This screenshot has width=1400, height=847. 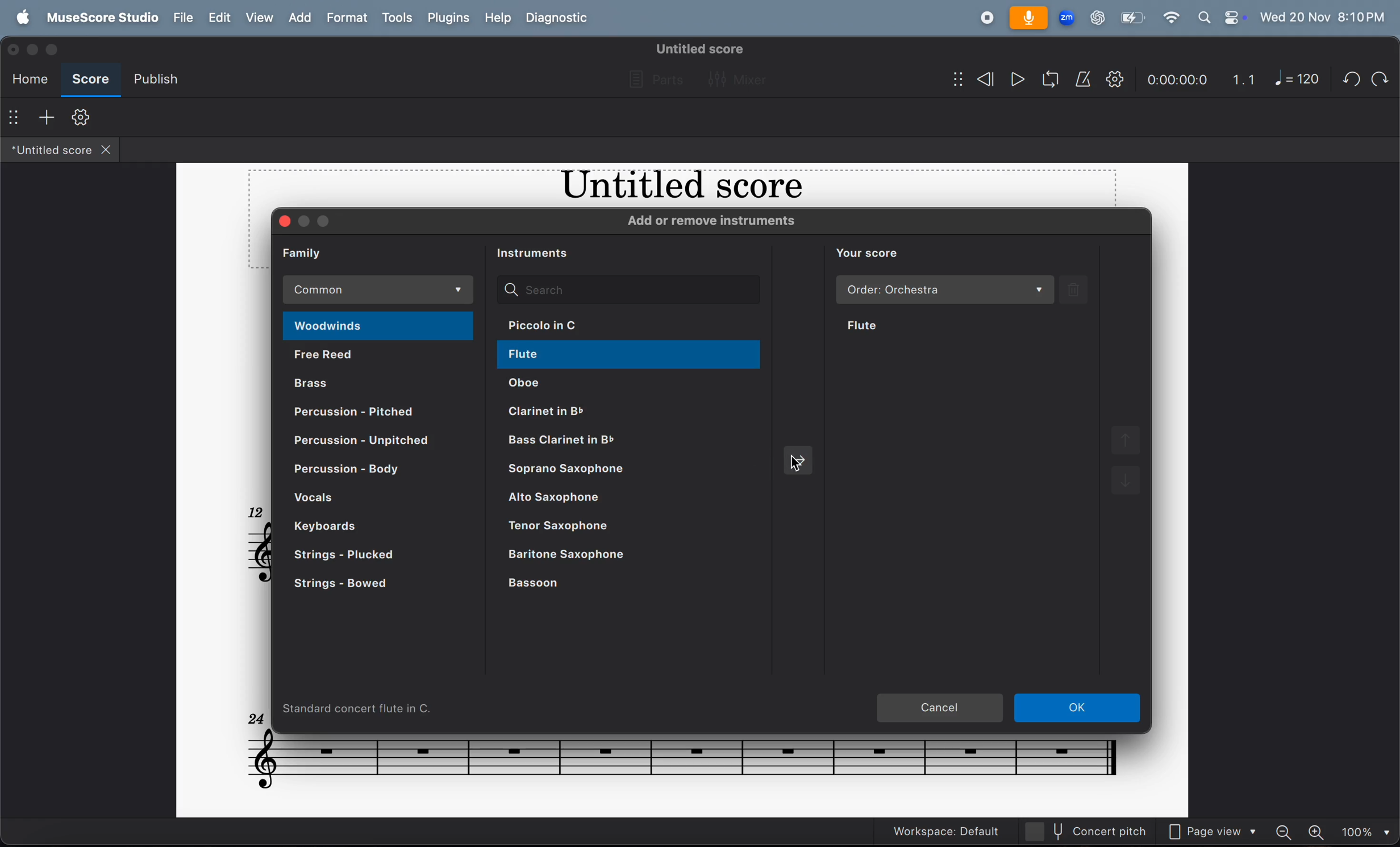 I want to click on edit, so click(x=221, y=18).